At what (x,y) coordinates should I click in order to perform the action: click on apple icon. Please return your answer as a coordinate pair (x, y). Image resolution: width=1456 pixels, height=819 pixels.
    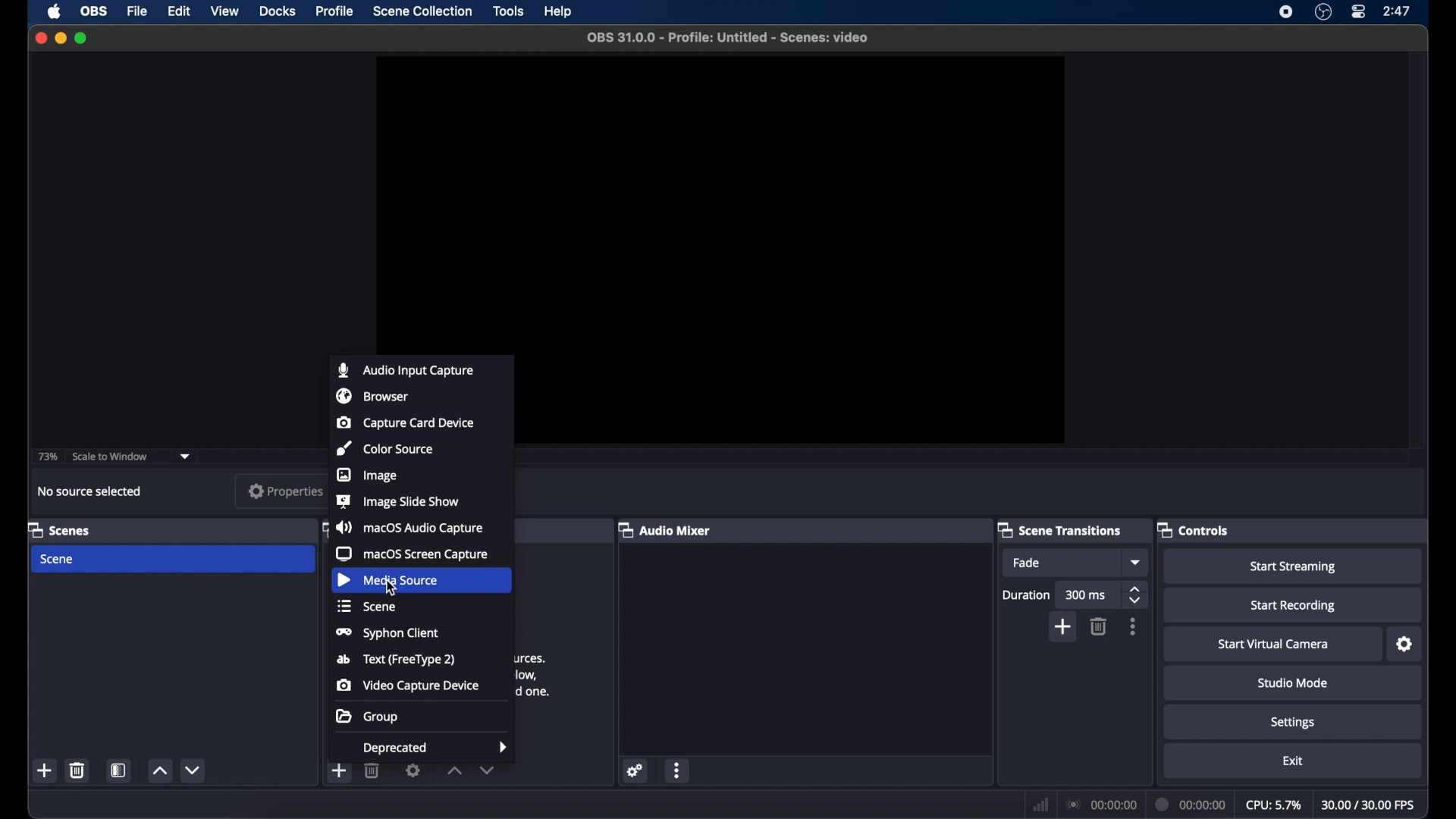
    Looking at the image, I should click on (55, 11).